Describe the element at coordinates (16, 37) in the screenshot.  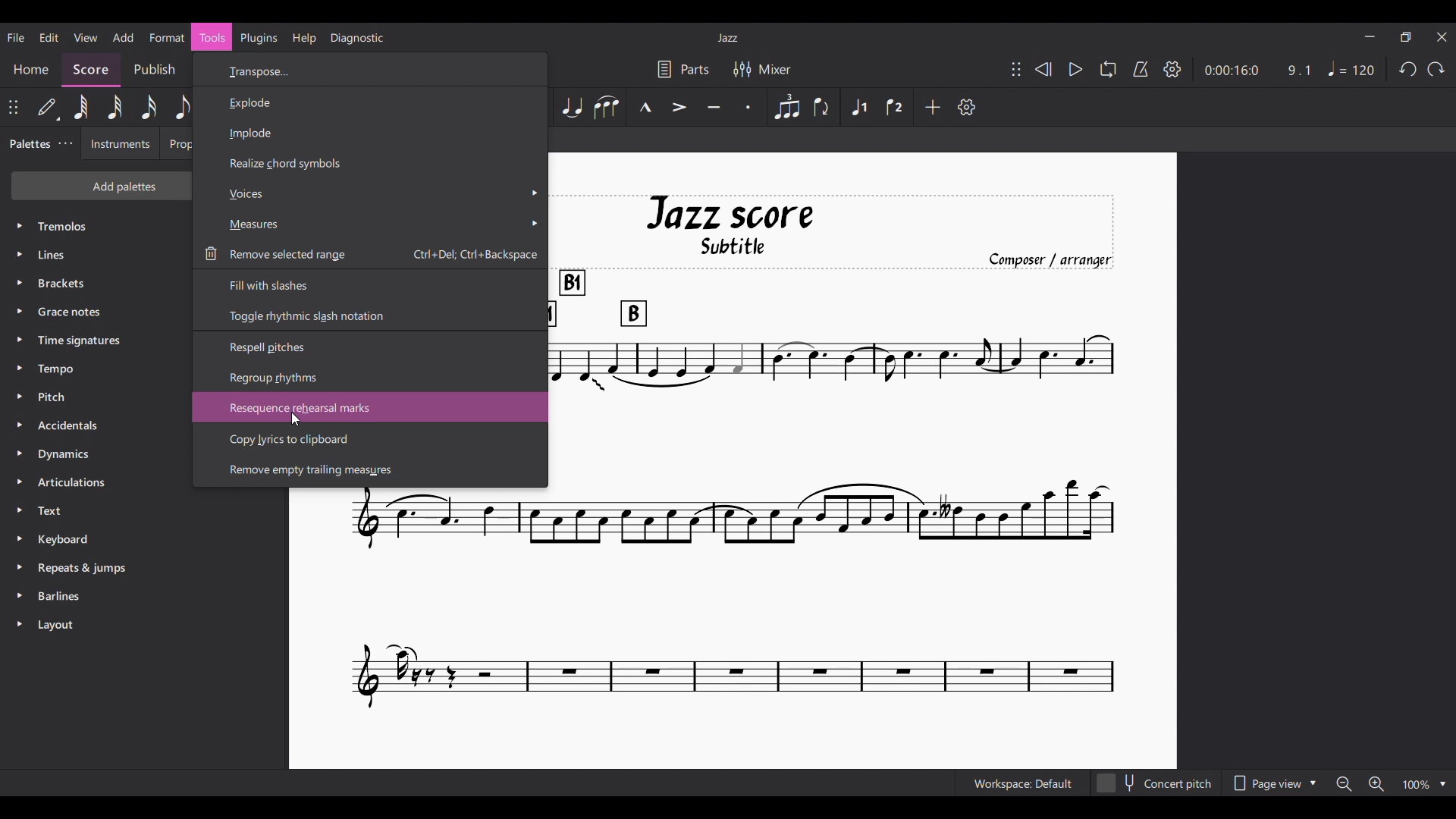
I see `File menu` at that location.